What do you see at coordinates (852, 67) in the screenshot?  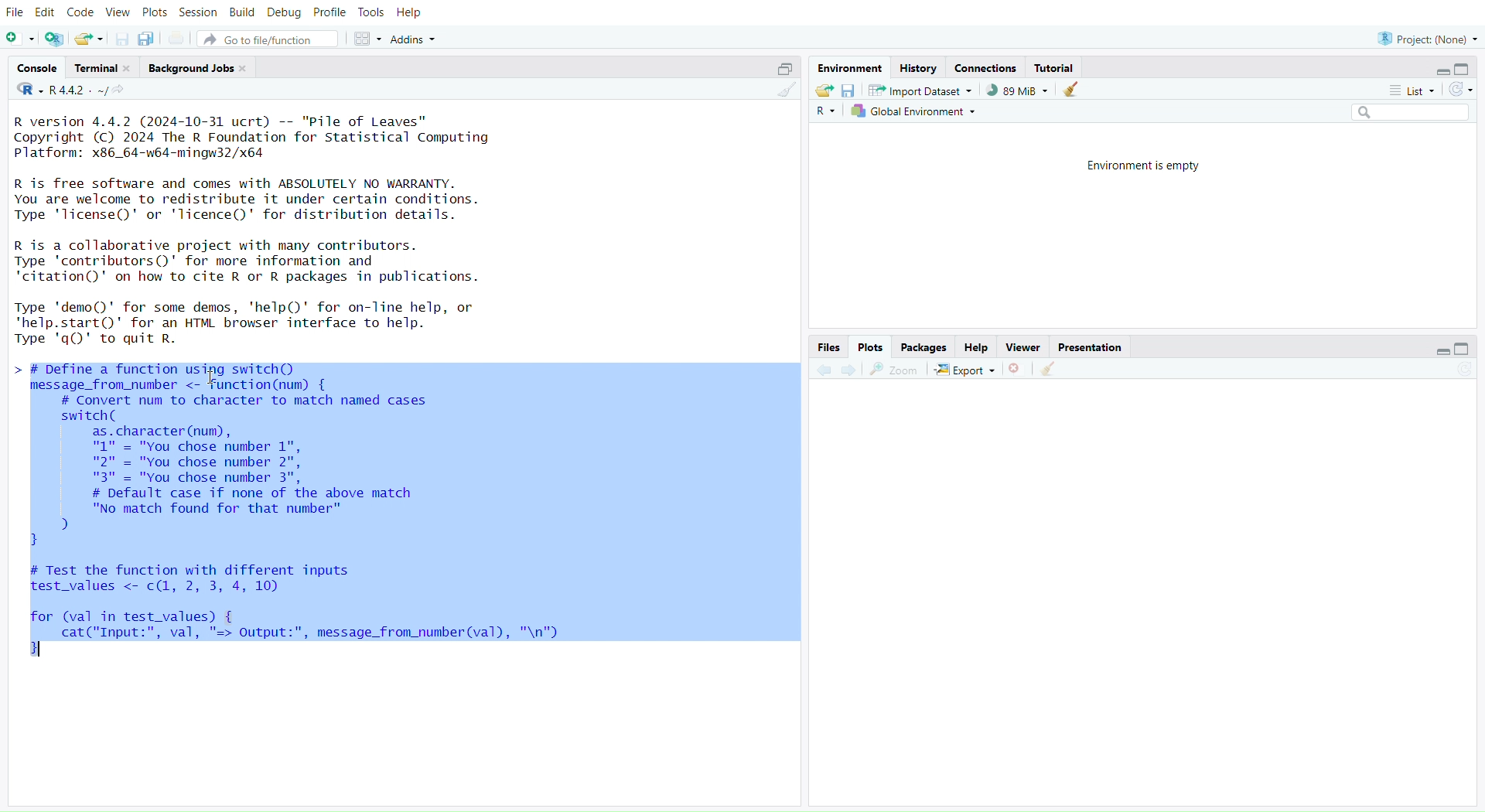 I see `Environment` at bounding box center [852, 67].